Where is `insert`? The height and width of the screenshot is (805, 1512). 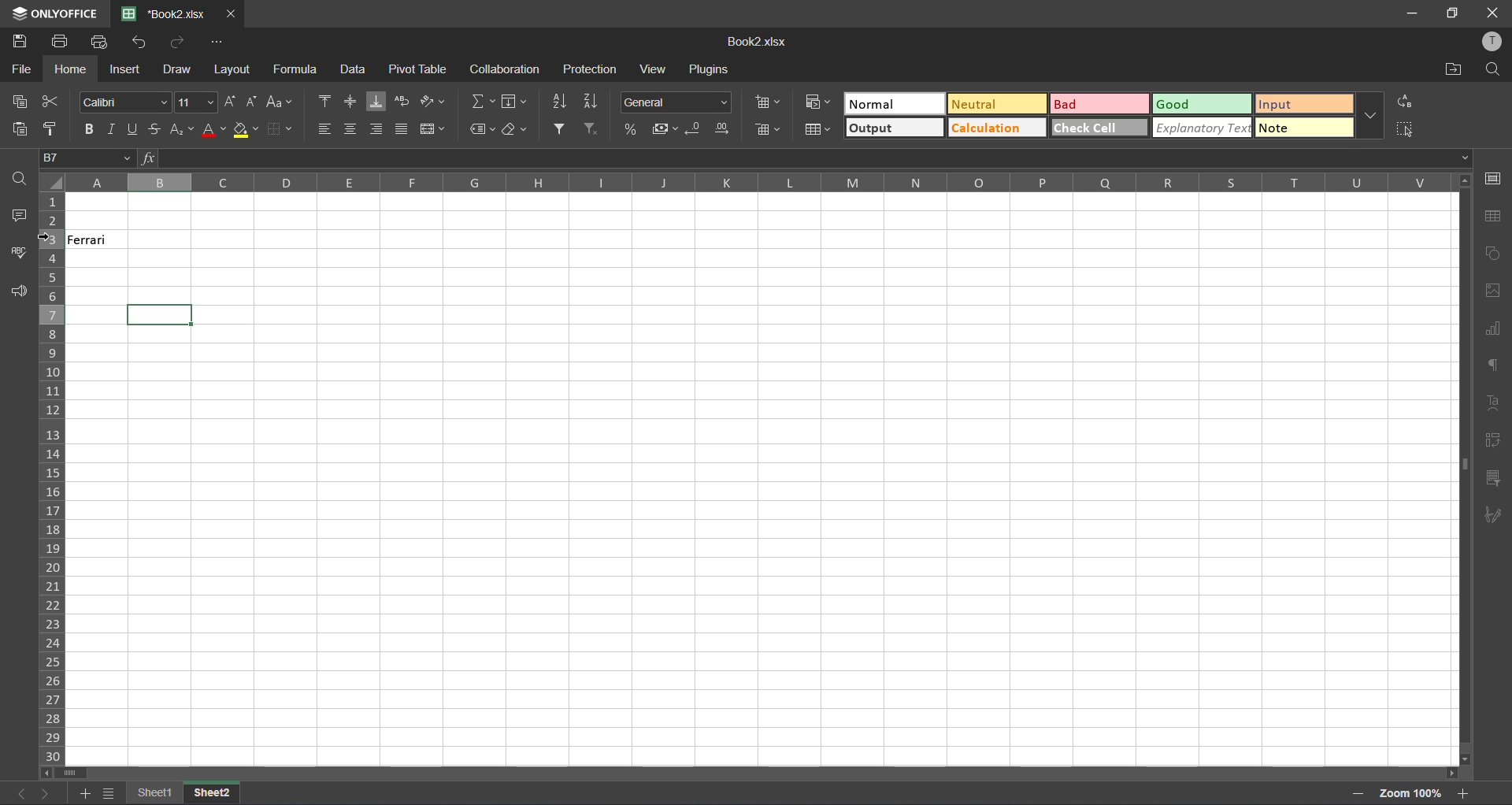
insert is located at coordinates (127, 69).